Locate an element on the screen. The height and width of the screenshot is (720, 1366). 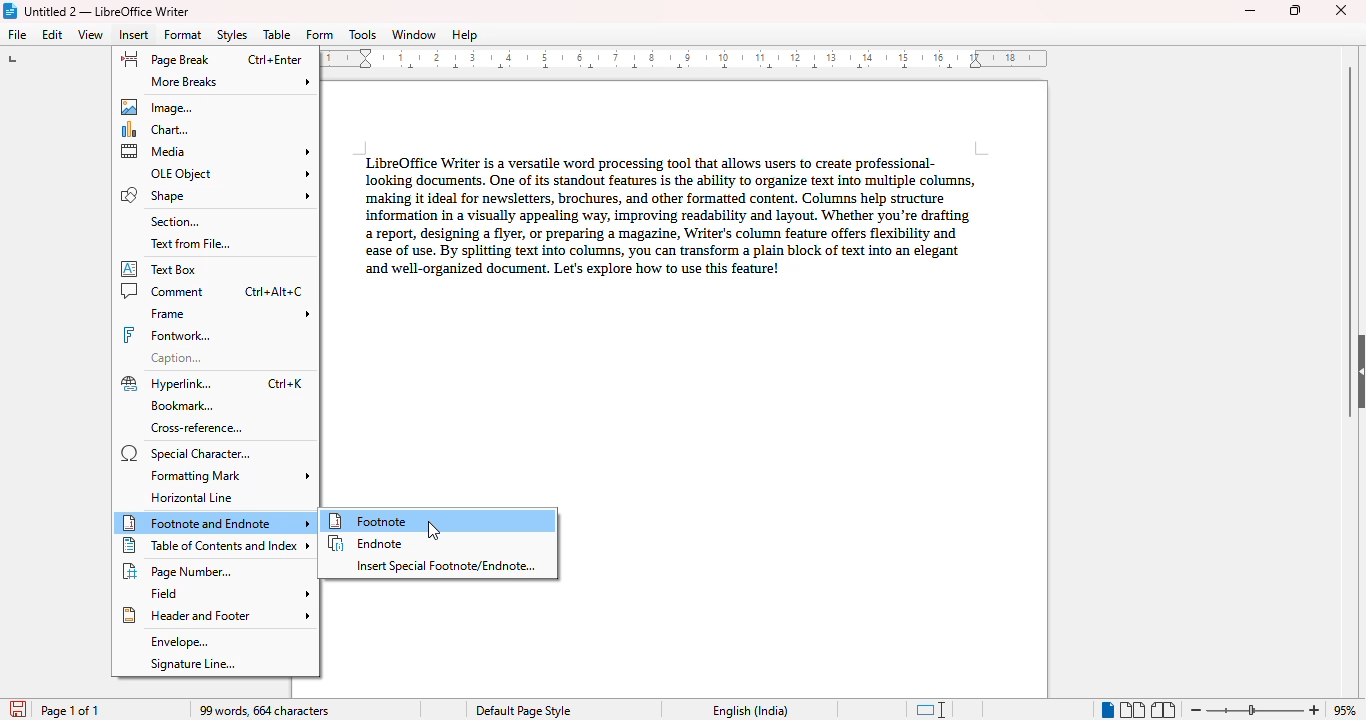
LibreOffice logo is located at coordinates (11, 11).